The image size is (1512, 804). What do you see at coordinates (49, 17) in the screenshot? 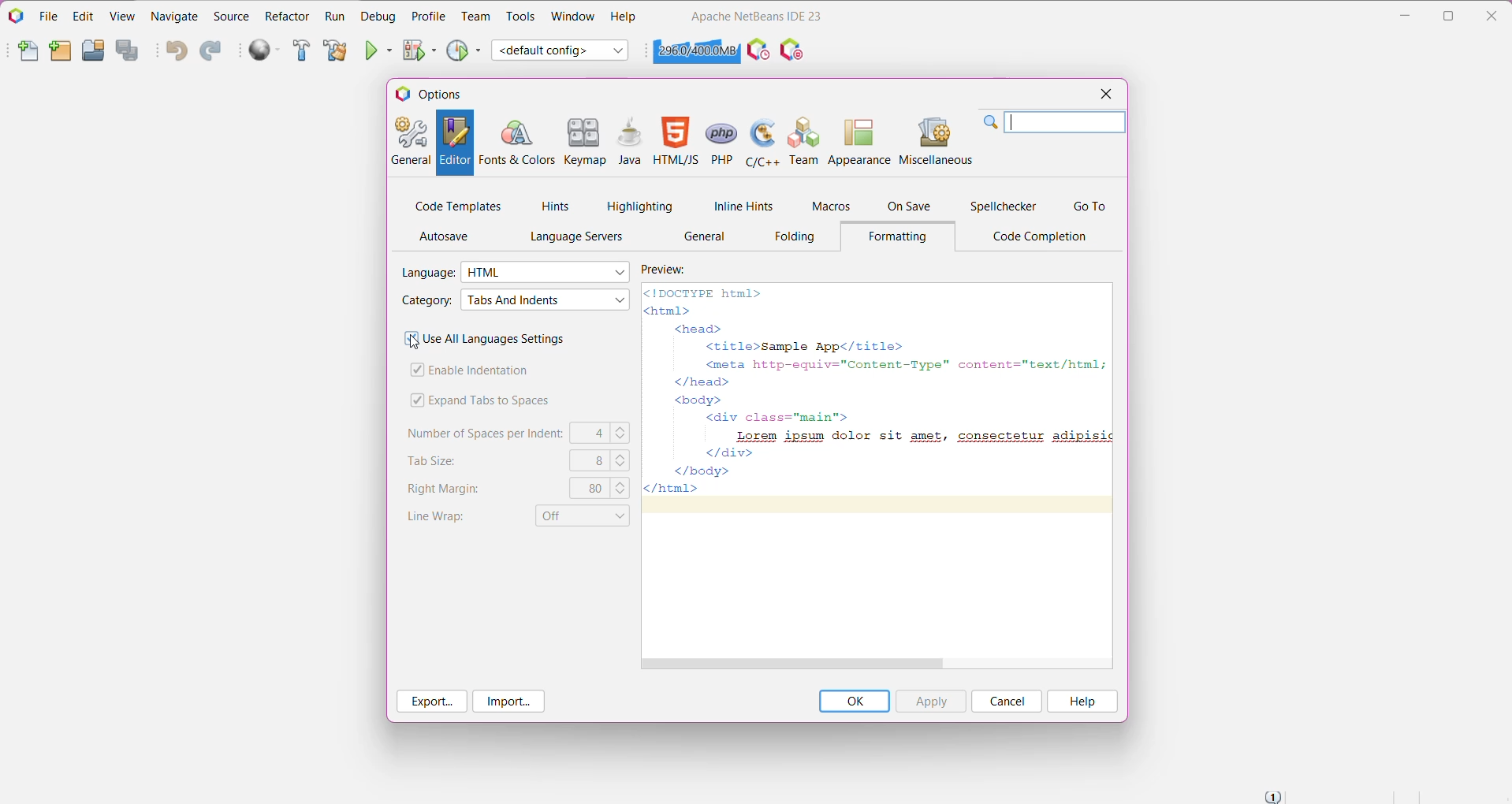
I see `File` at bounding box center [49, 17].